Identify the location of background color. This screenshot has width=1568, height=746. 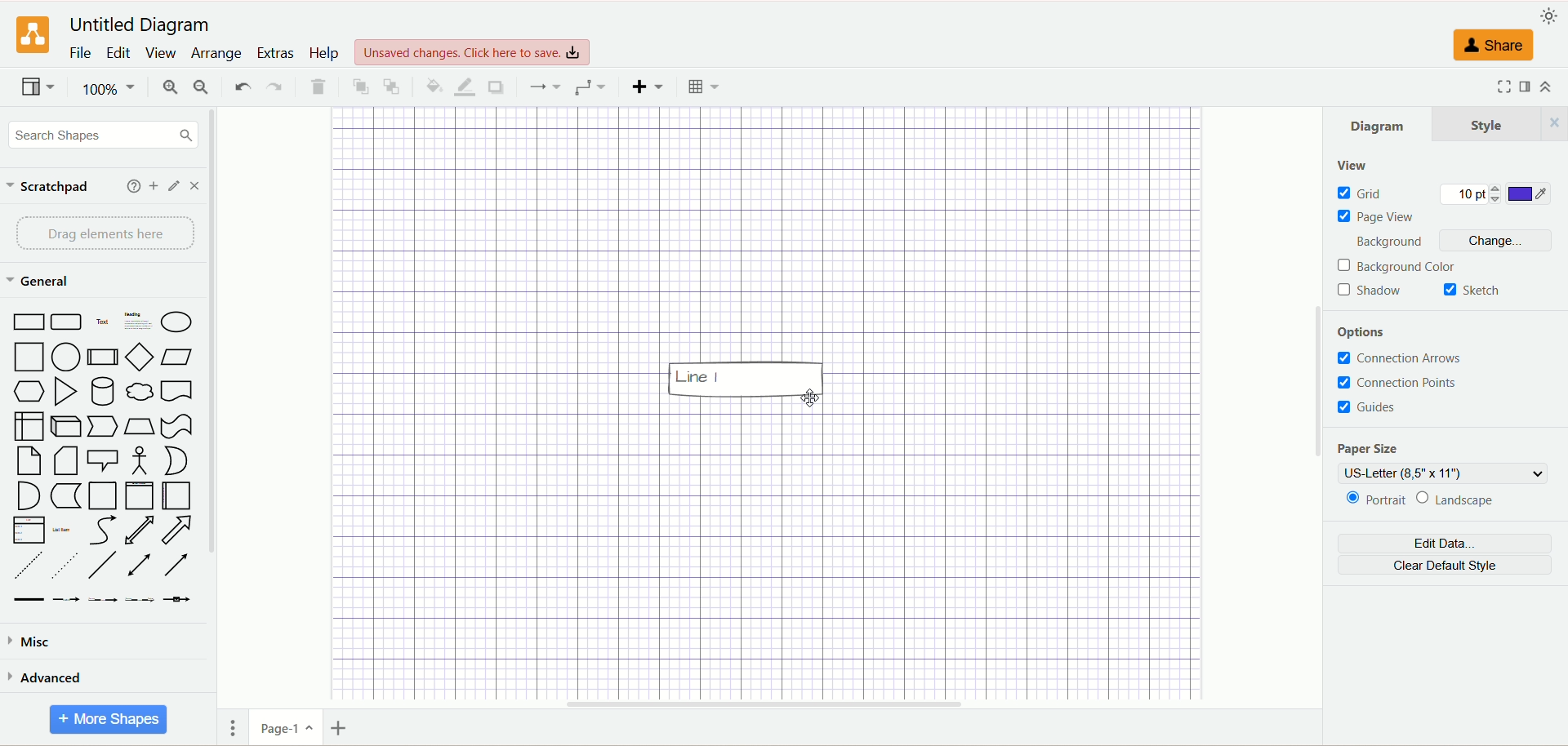
(1397, 267).